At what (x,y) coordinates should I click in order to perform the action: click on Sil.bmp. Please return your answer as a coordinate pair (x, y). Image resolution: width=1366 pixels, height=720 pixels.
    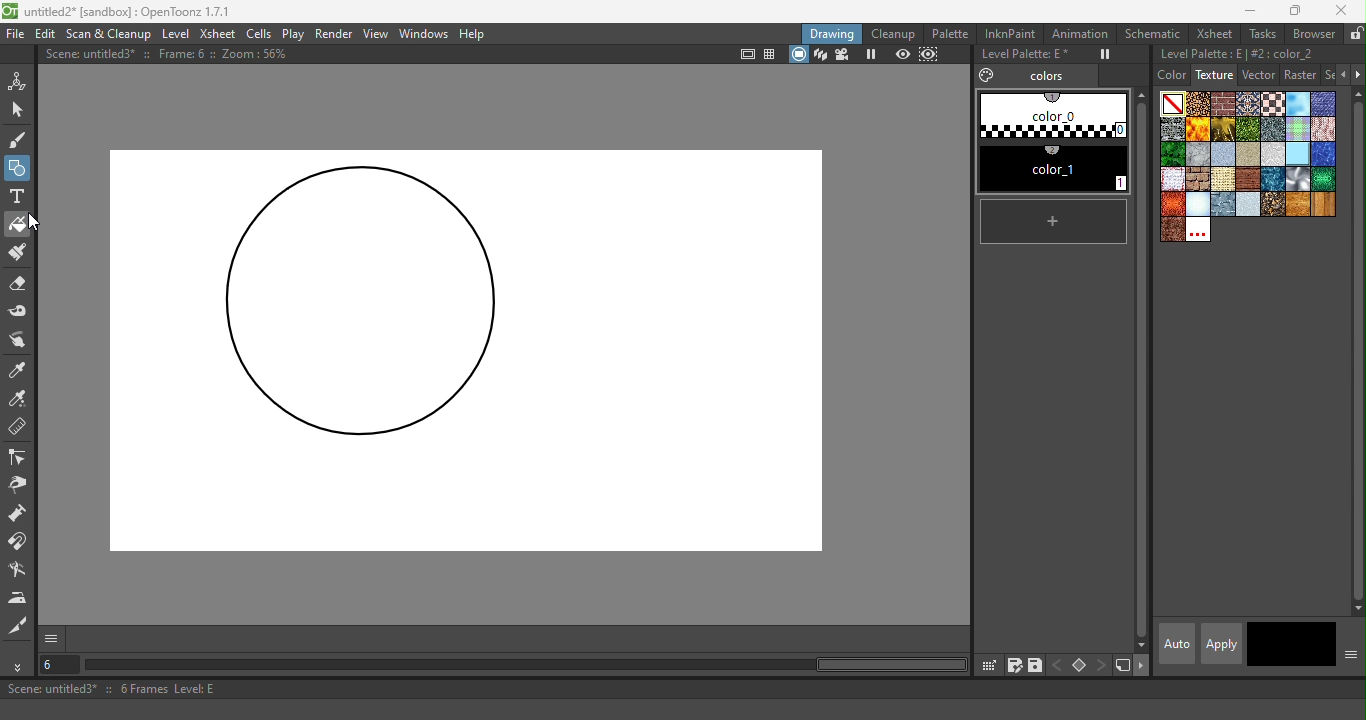
    Looking at the image, I should click on (1298, 179).